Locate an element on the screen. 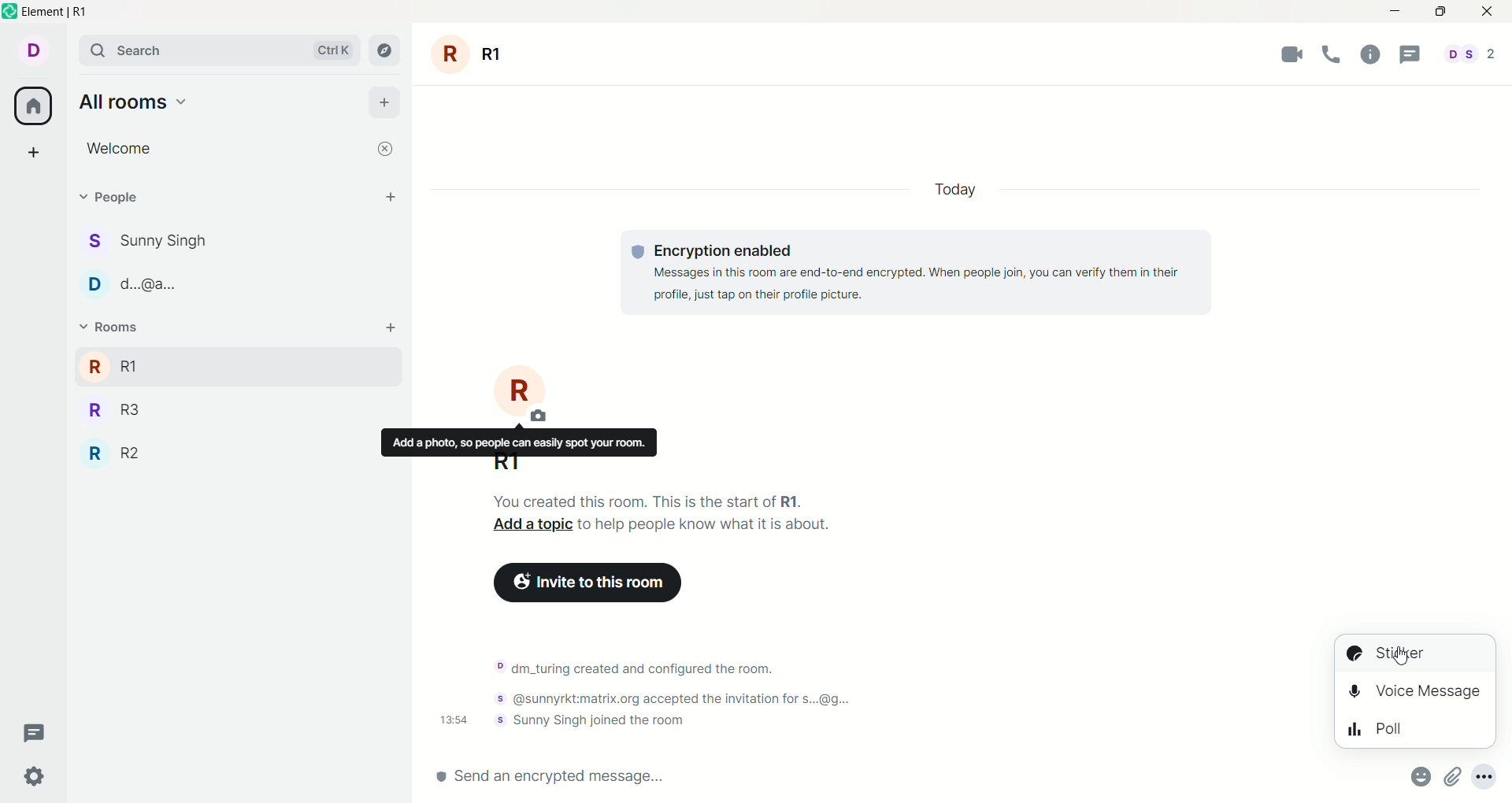  R1 - current room name is located at coordinates (506, 464).